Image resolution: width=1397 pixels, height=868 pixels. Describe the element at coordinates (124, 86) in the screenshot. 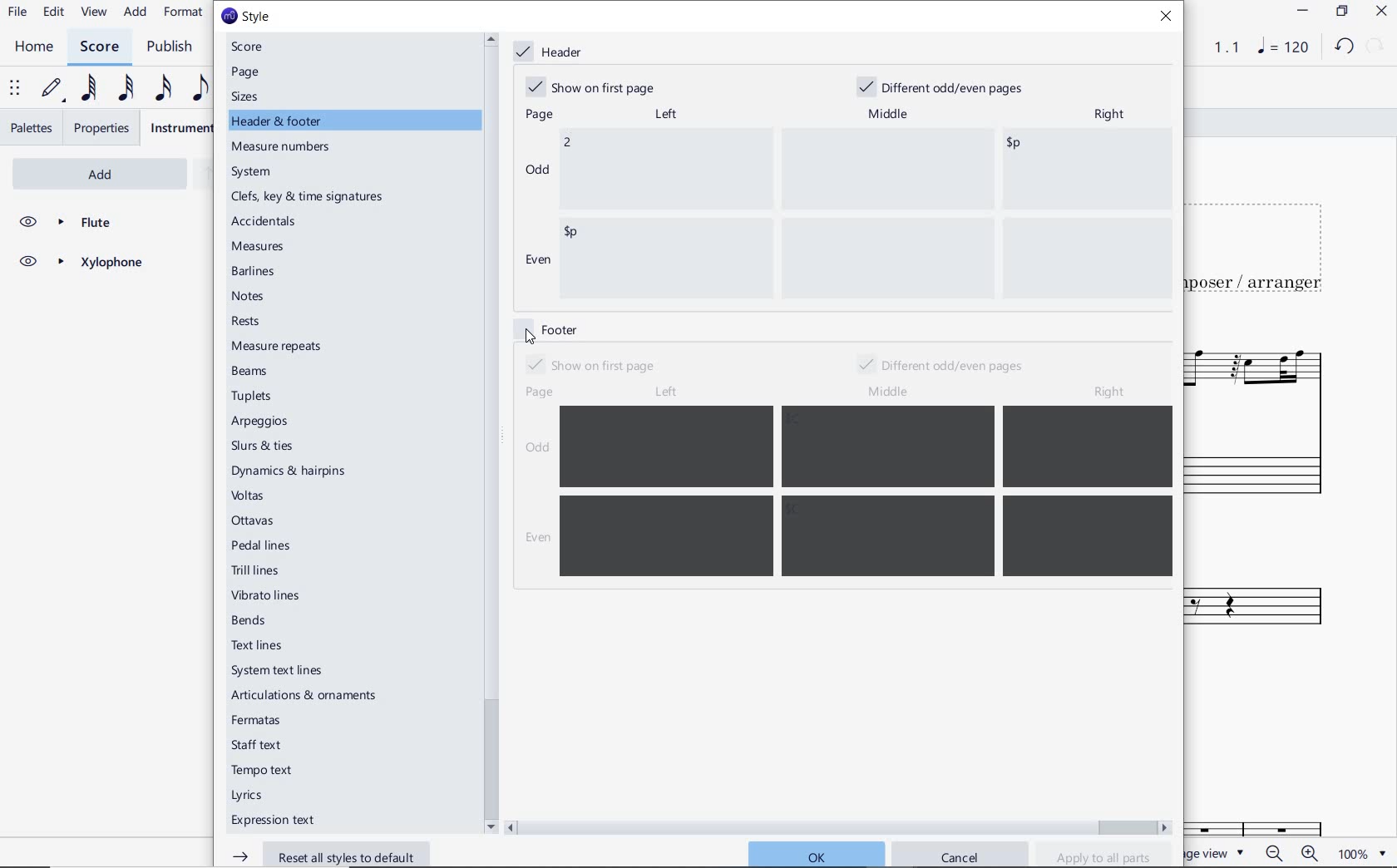

I see `32ND NOTE` at that location.